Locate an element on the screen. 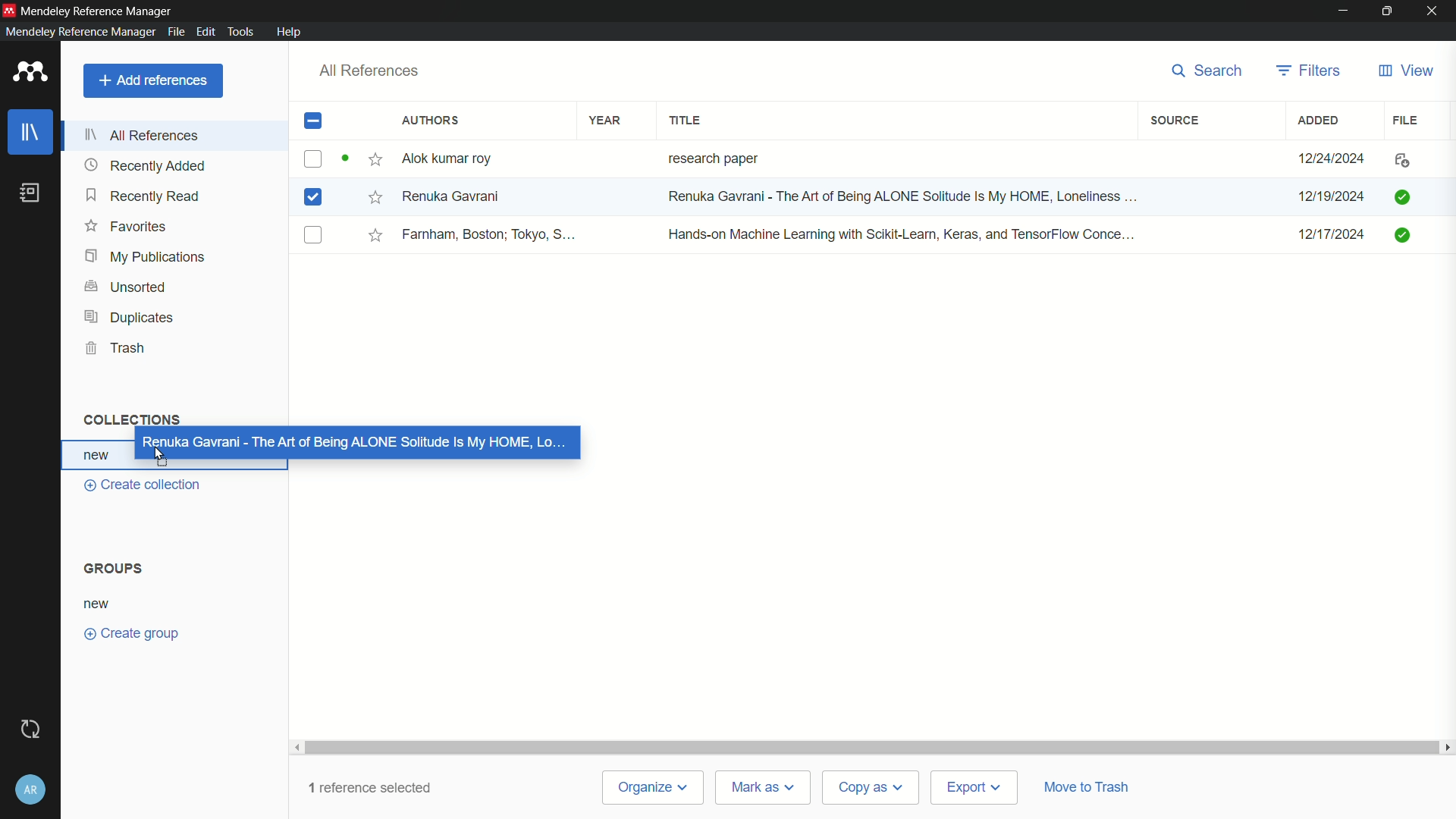 This screenshot has width=1456, height=819. file menu is located at coordinates (174, 32).